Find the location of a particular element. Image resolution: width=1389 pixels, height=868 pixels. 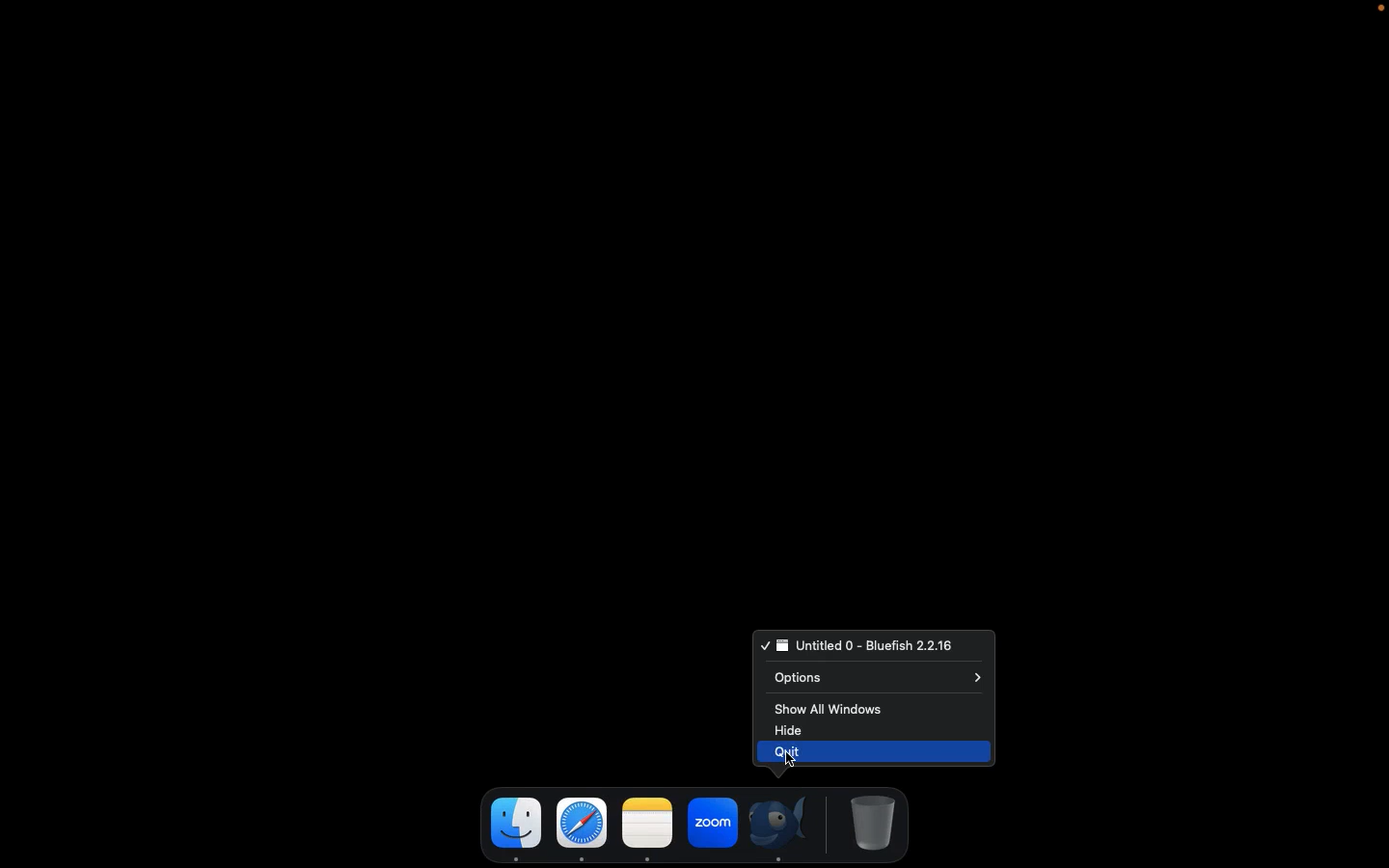

finder is located at coordinates (518, 824).